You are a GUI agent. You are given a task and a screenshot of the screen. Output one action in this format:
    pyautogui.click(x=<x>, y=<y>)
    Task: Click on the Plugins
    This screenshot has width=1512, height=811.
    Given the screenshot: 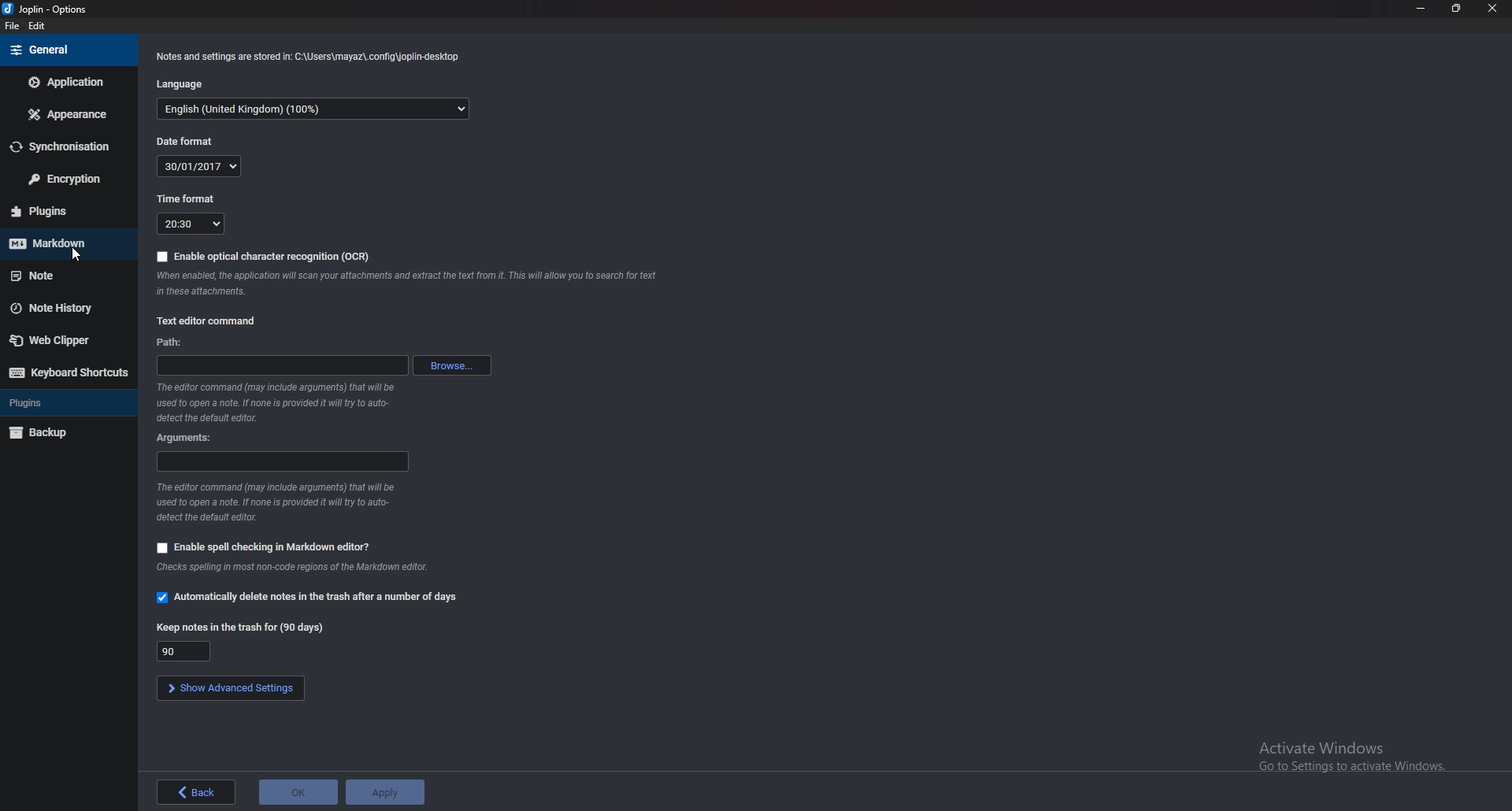 What is the action you would take?
    pyautogui.click(x=62, y=211)
    